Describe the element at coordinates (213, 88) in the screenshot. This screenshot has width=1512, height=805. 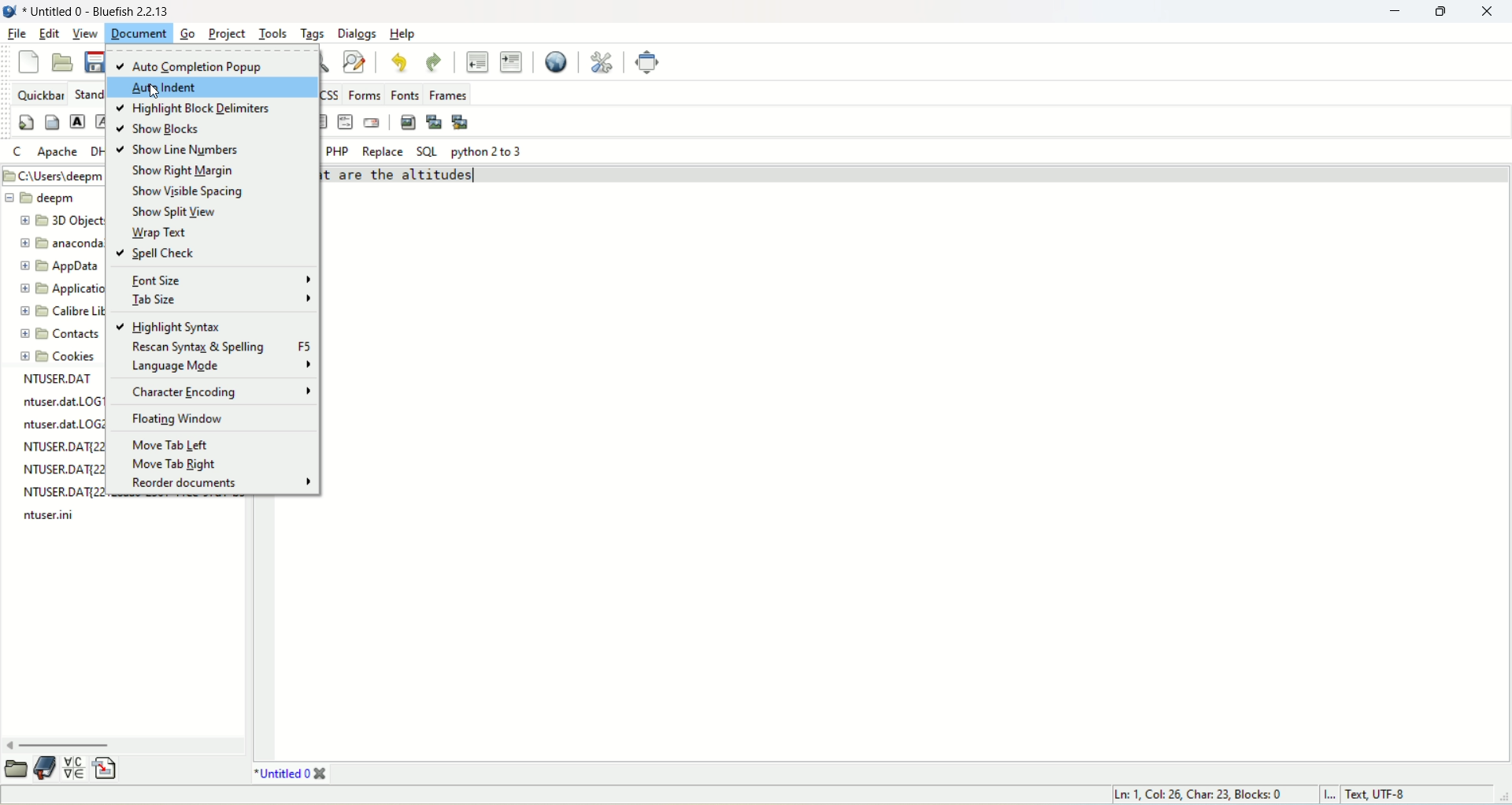
I see `auto indent` at that location.